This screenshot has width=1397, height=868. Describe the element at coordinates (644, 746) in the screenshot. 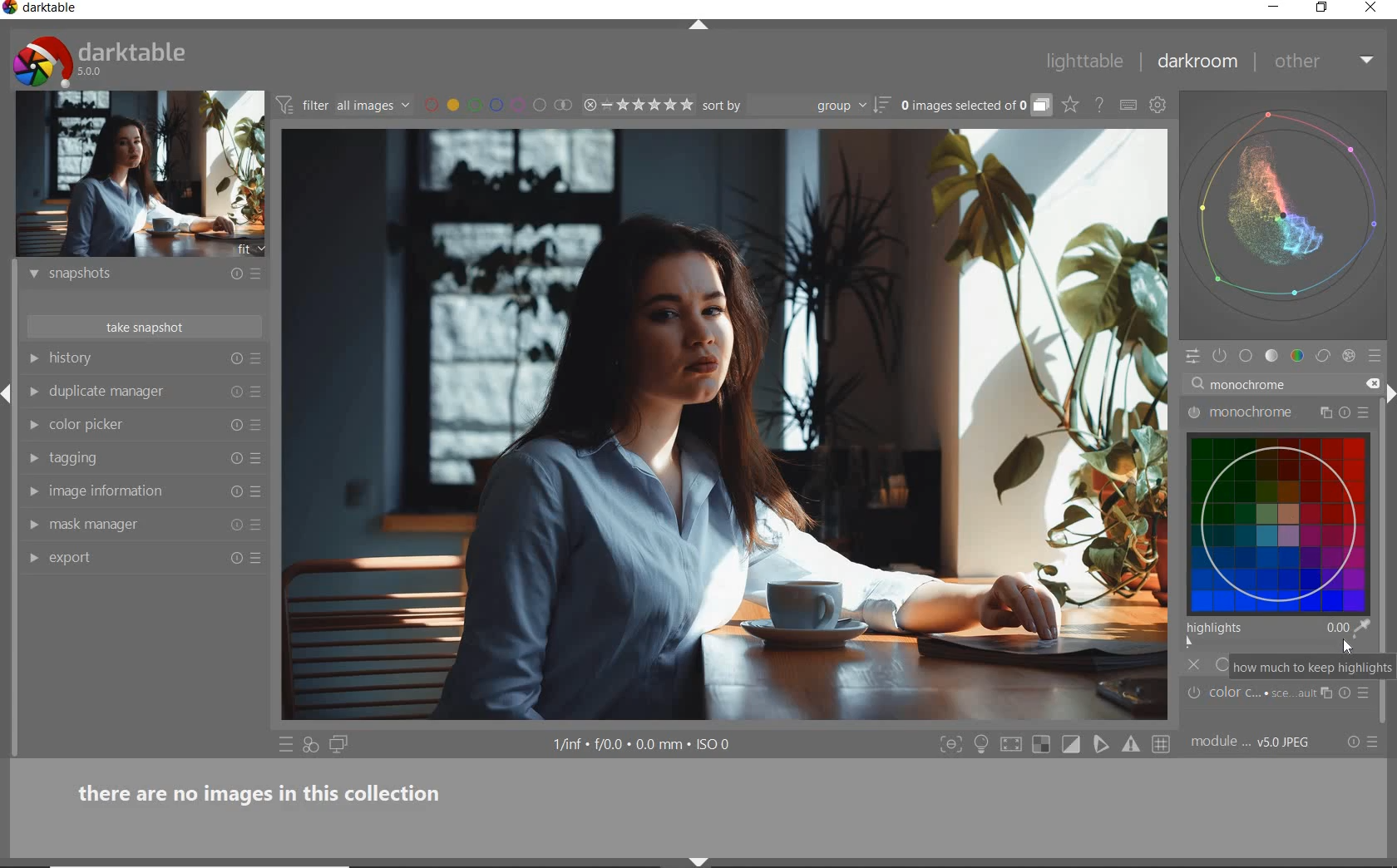

I see `display information` at that location.